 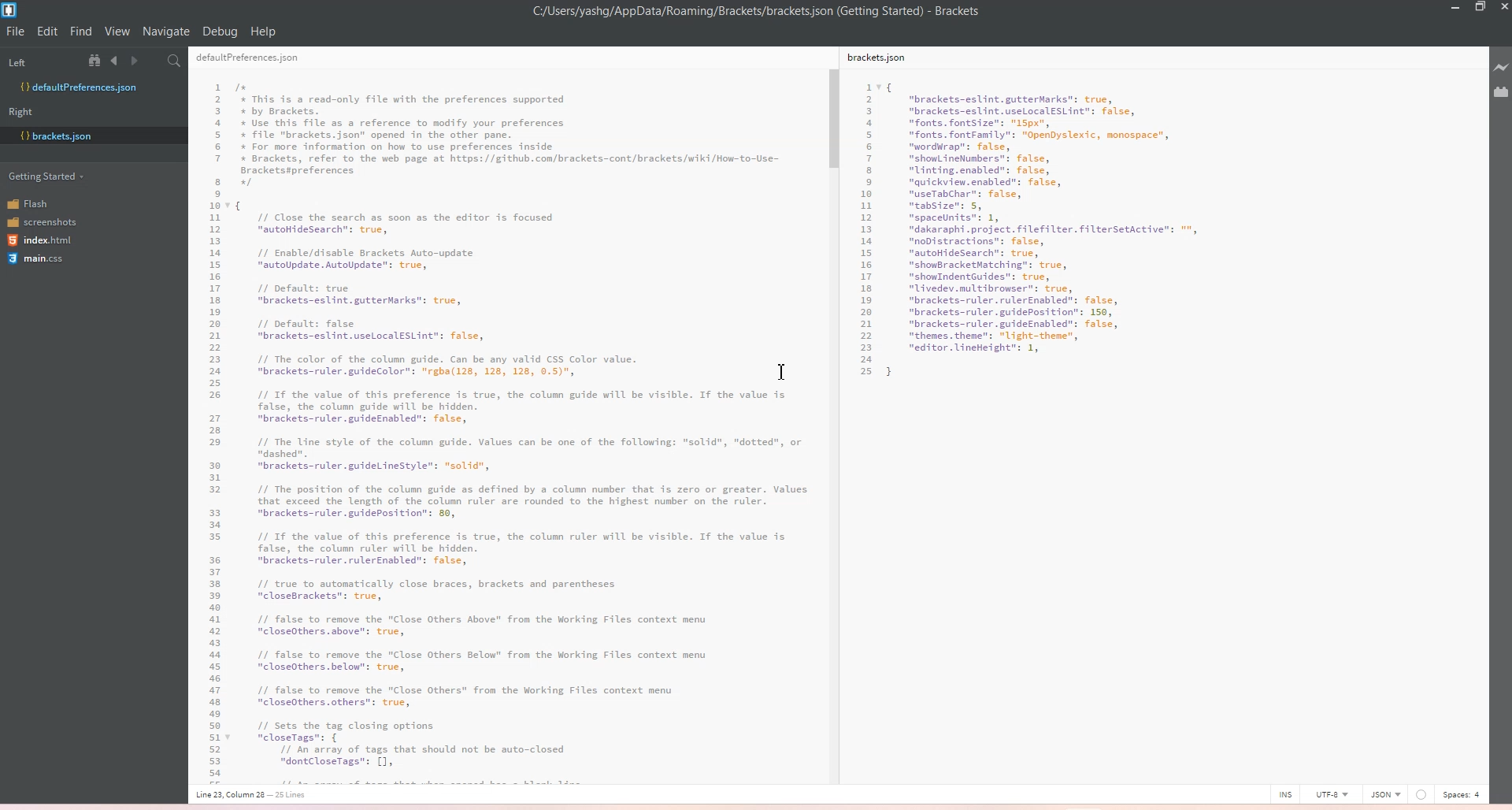 What do you see at coordinates (1501, 92) in the screenshot?
I see `Extension Manager` at bounding box center [1501, 92].